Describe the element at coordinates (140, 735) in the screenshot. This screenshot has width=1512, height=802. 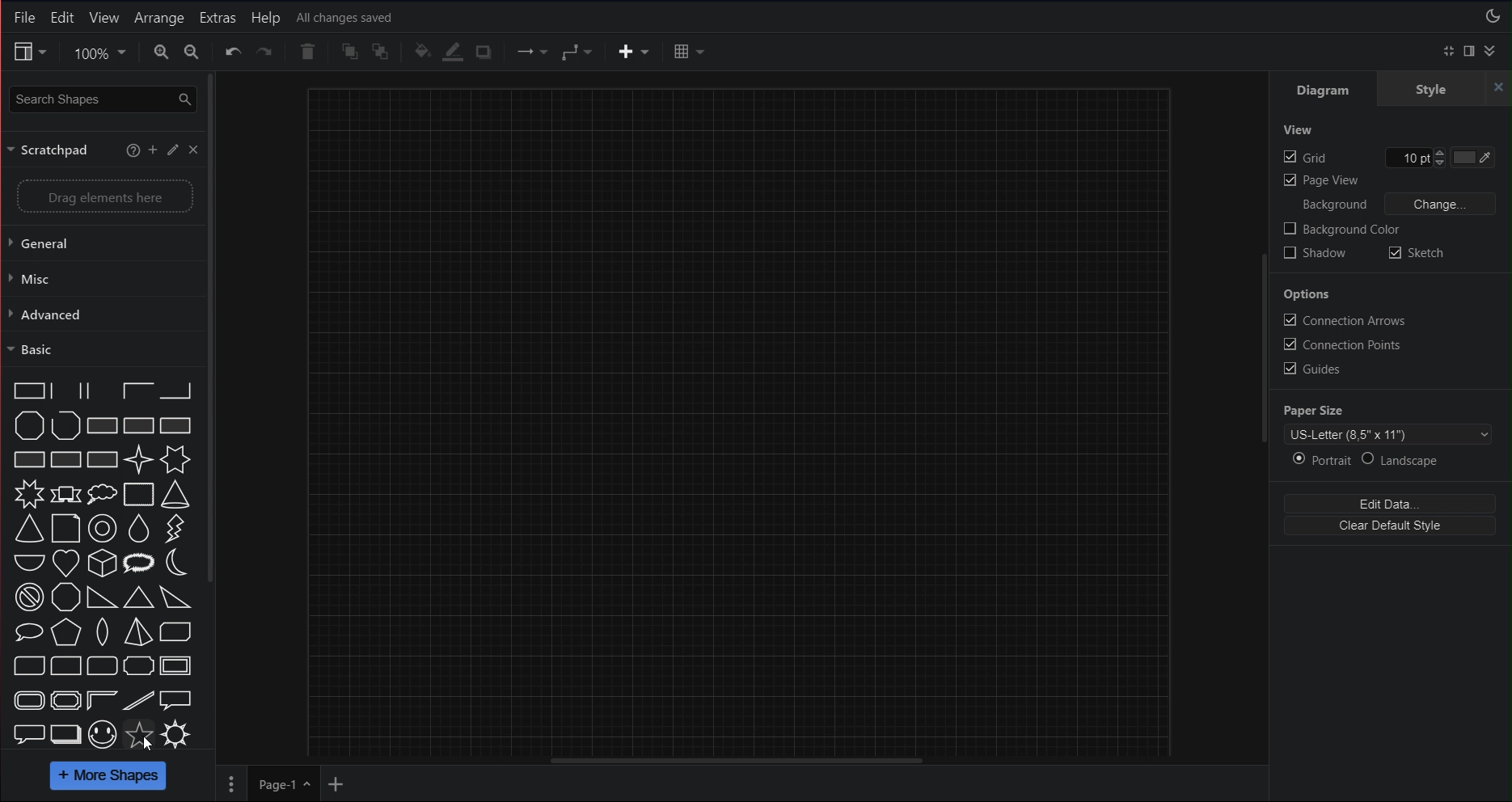
I see `star` at that location.